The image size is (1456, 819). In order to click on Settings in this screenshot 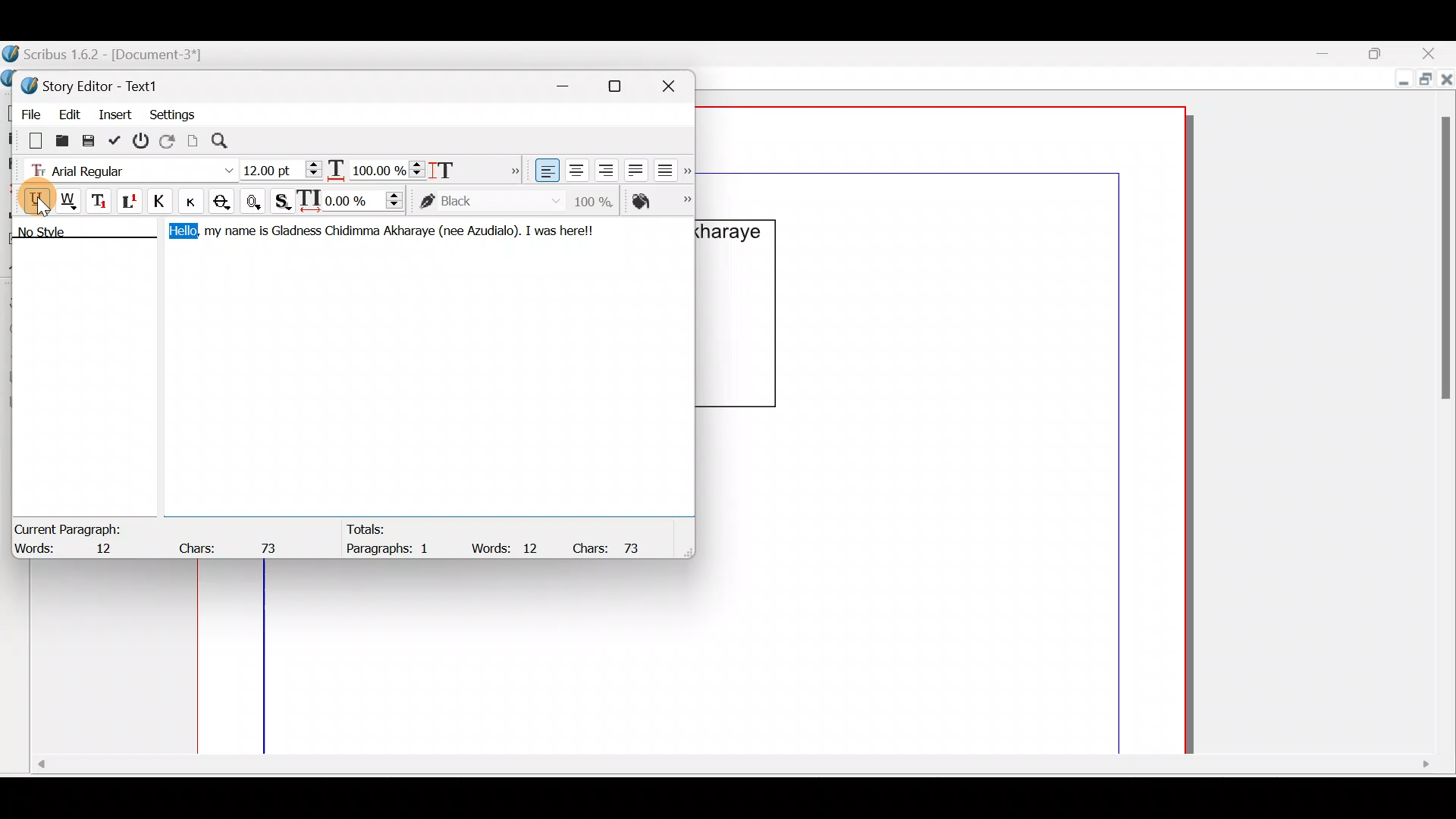, I will do `click(172, 113)`.